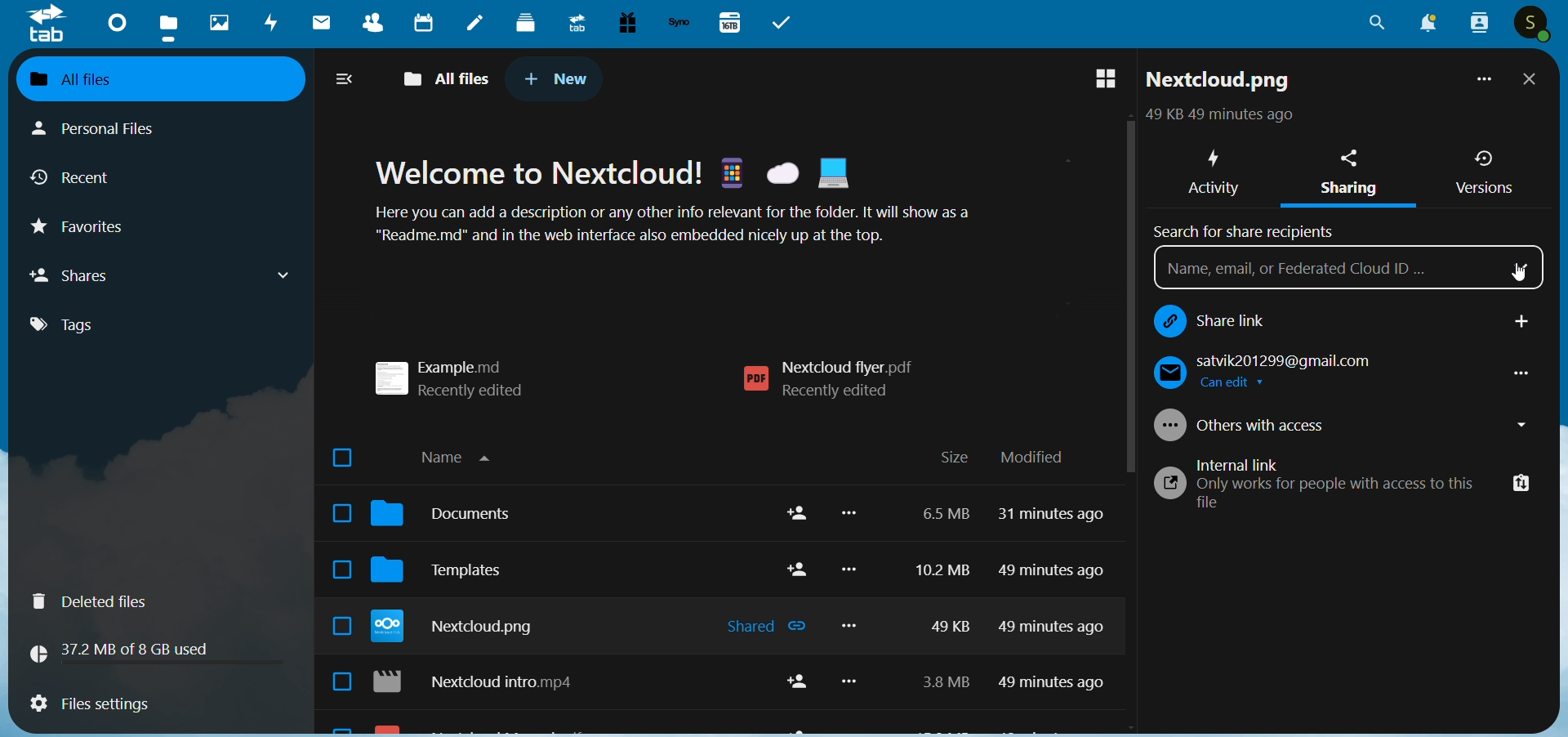 Image resolution: width=1568 pixels, height=737 pixels. I want to click on name, so click(464, 454).